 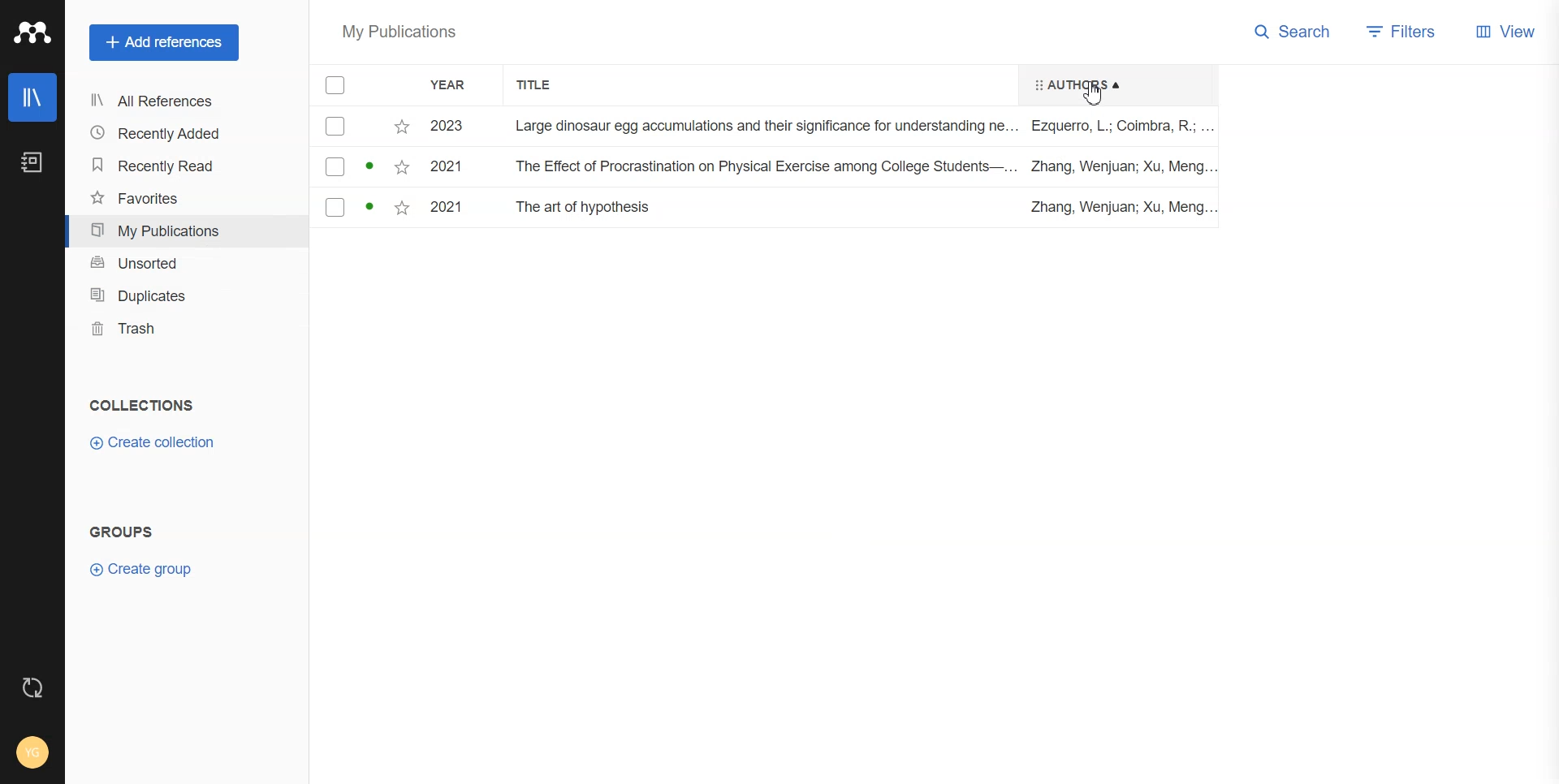 What do you see at coordinates (446, 127) in the screenshot?
I see `2023` at bounding box center [446, 127].